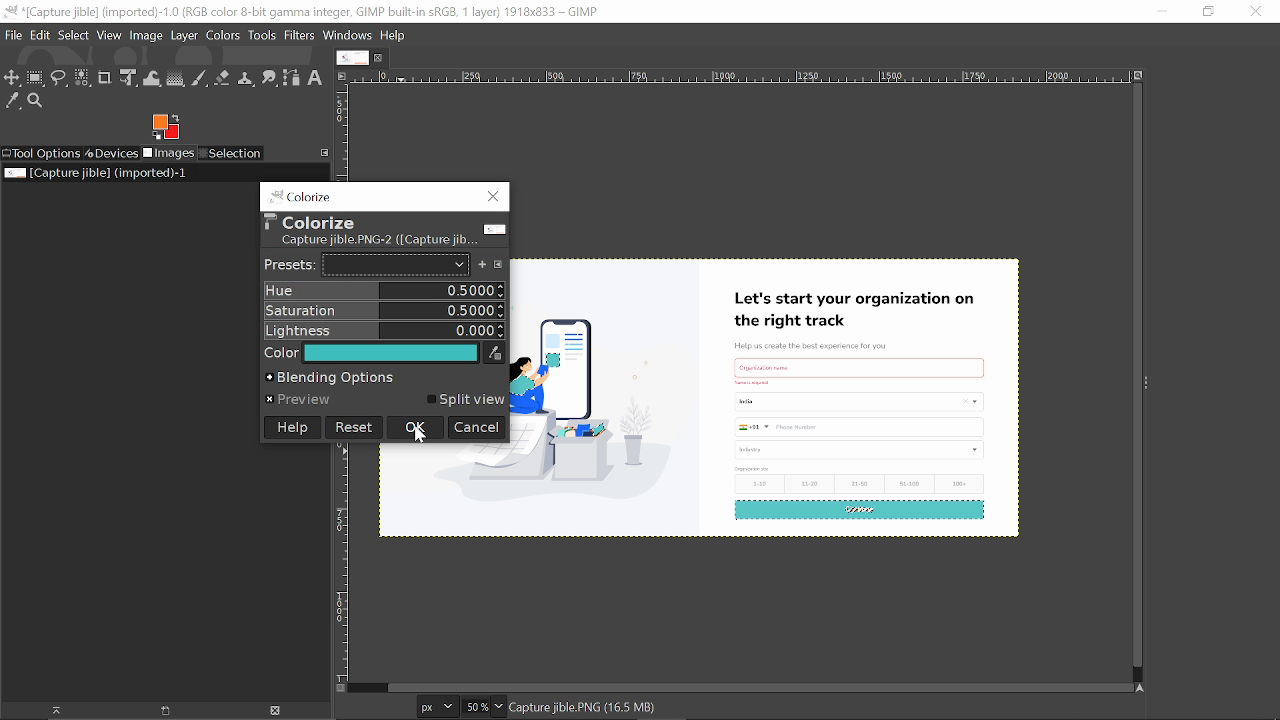  Describe the element at coordinates (84, 93) in the screenshot. I see `cursor` at that location.